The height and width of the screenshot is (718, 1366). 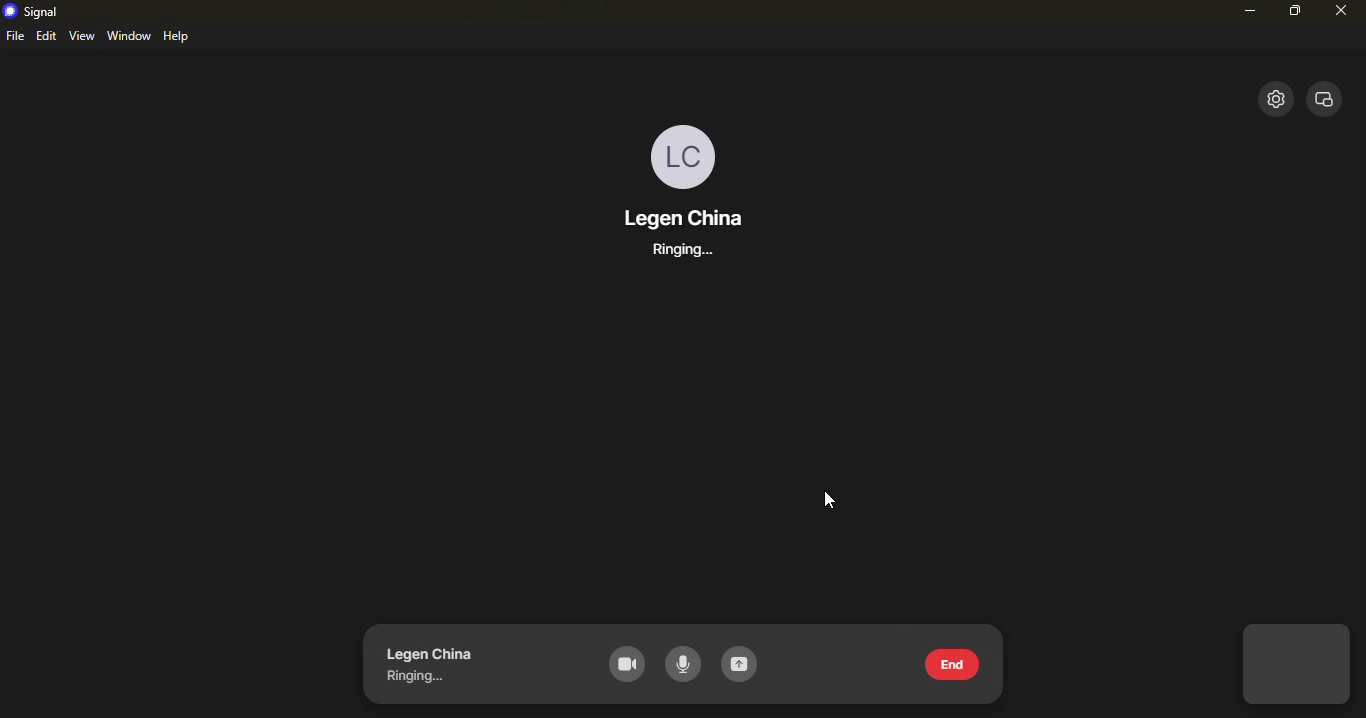 I want to click on video, so click(x=623, y=663).